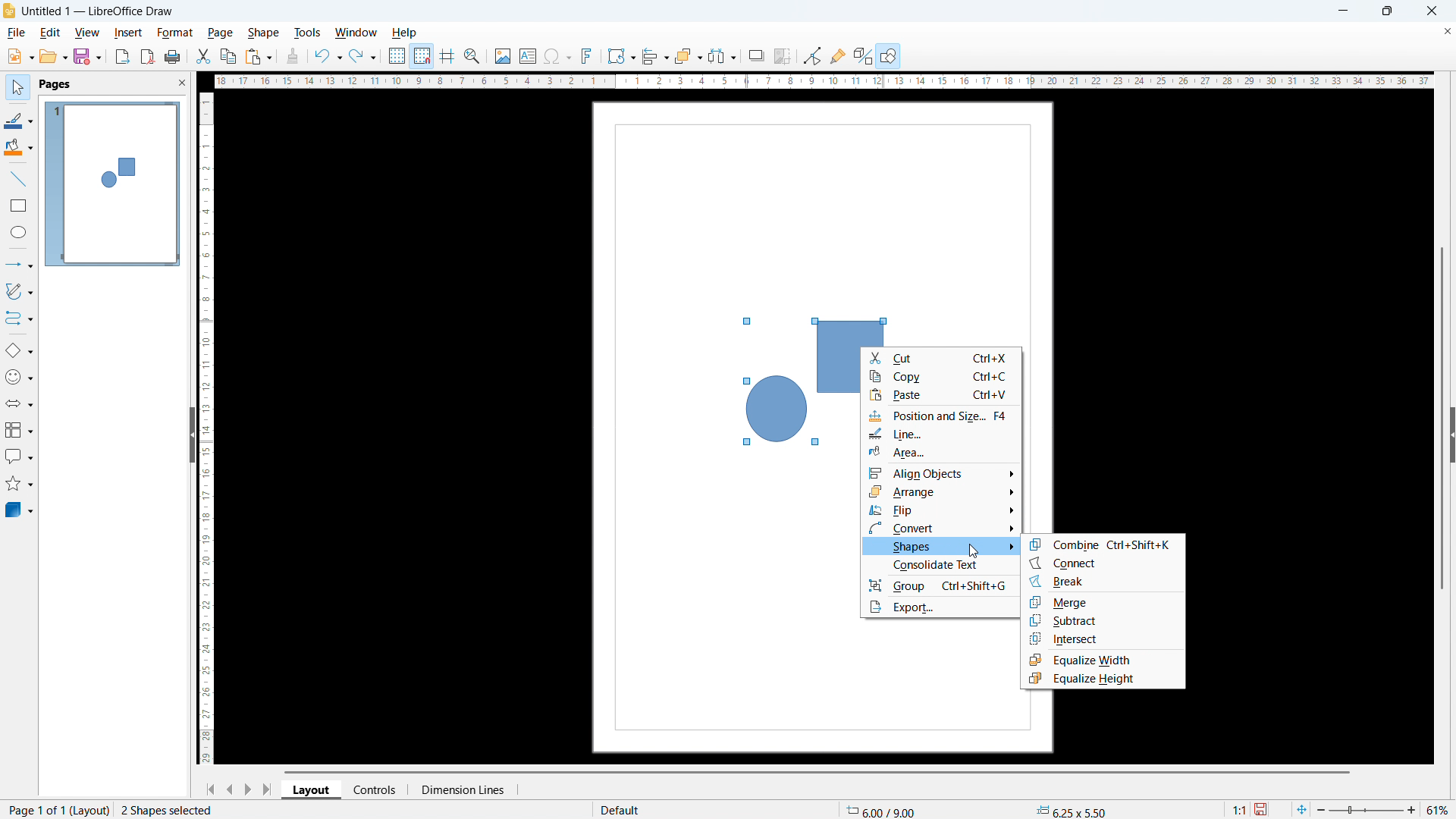 Image resolution: width=1456 pixels, height=819 pixels. I want to click on go to first page, so click(211, 789).